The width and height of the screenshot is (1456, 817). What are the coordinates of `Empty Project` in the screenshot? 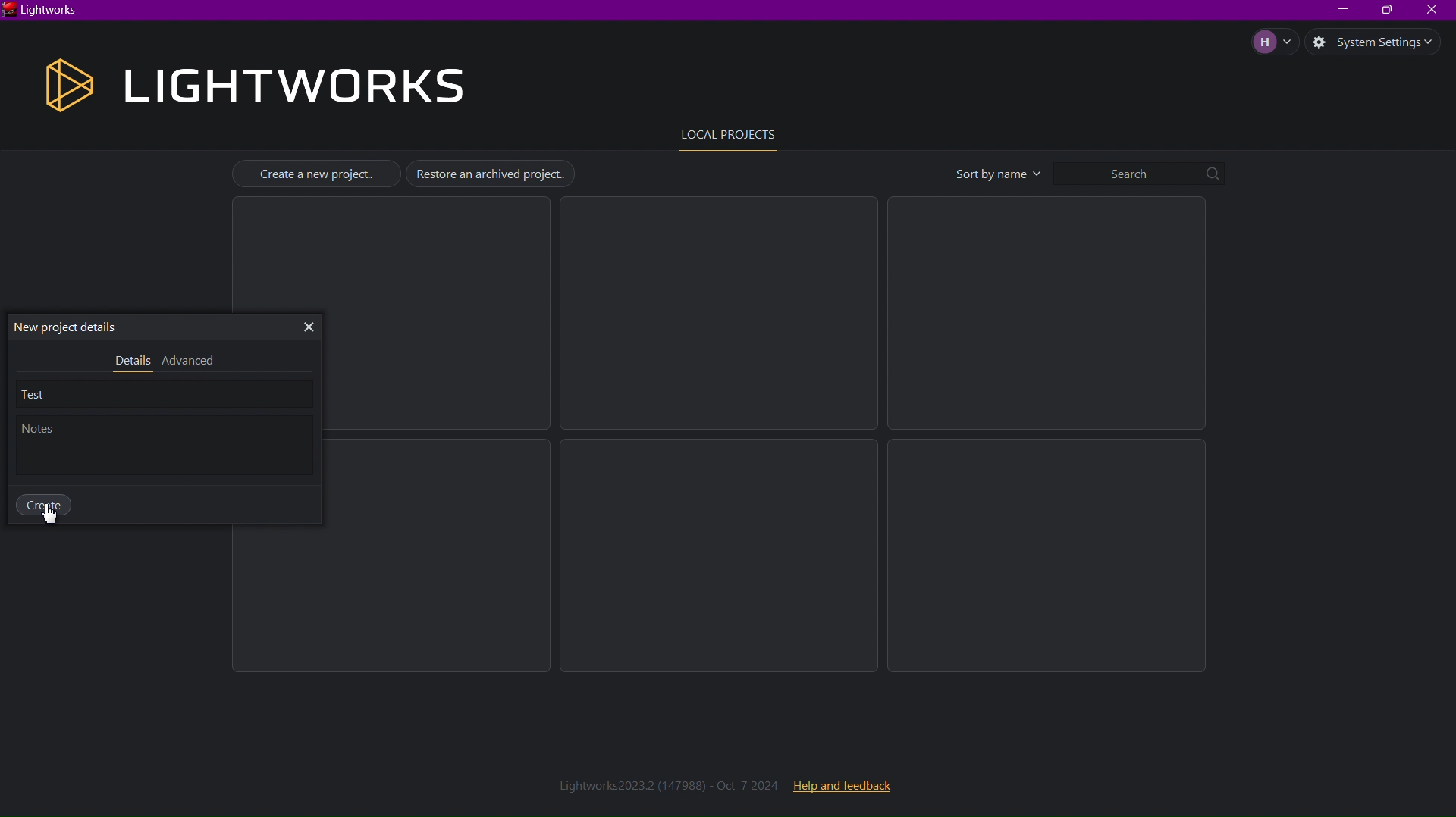 It's located at (720, 314).